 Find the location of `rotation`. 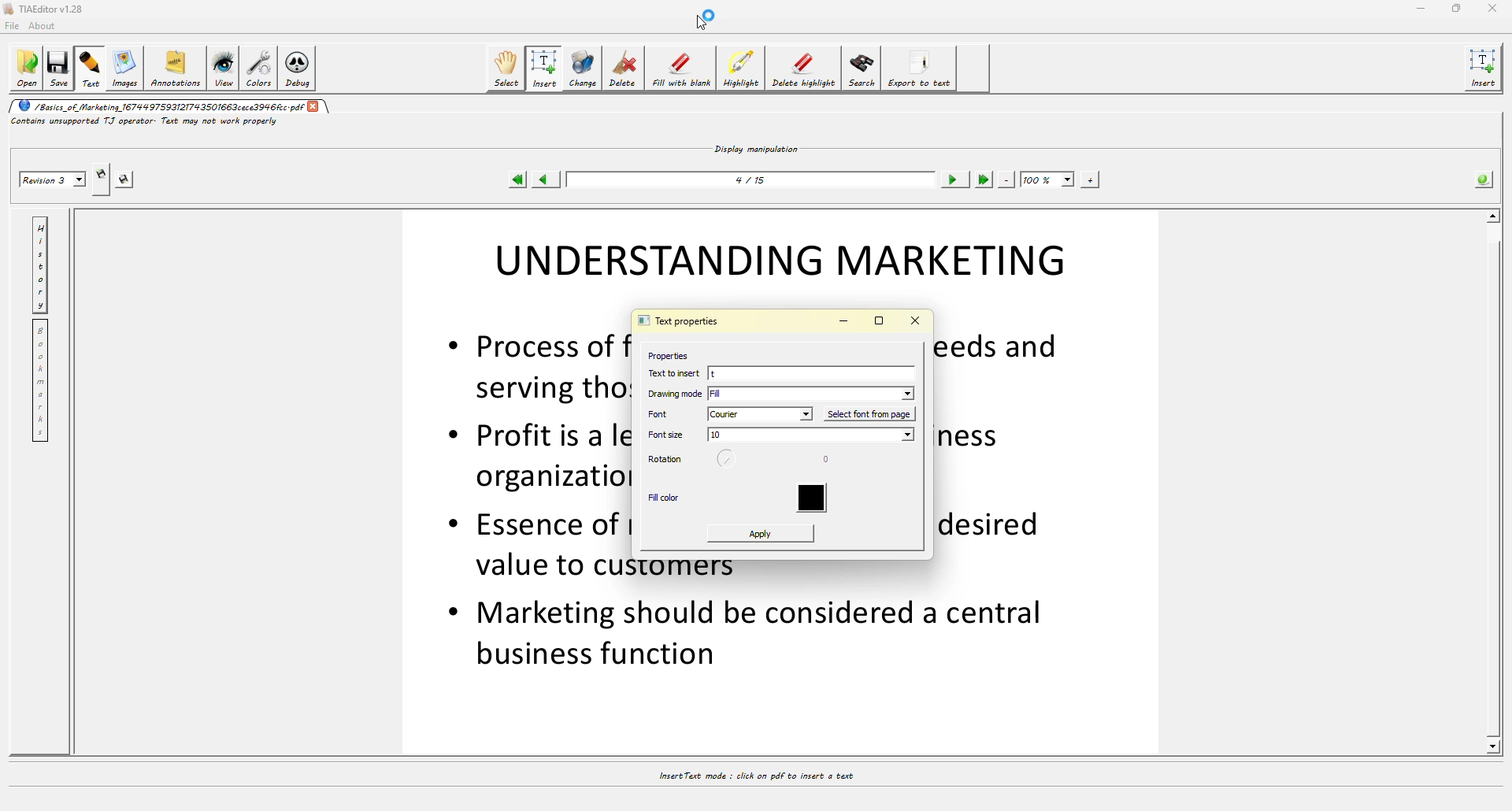

rotation is located at coordinates (665, 460).